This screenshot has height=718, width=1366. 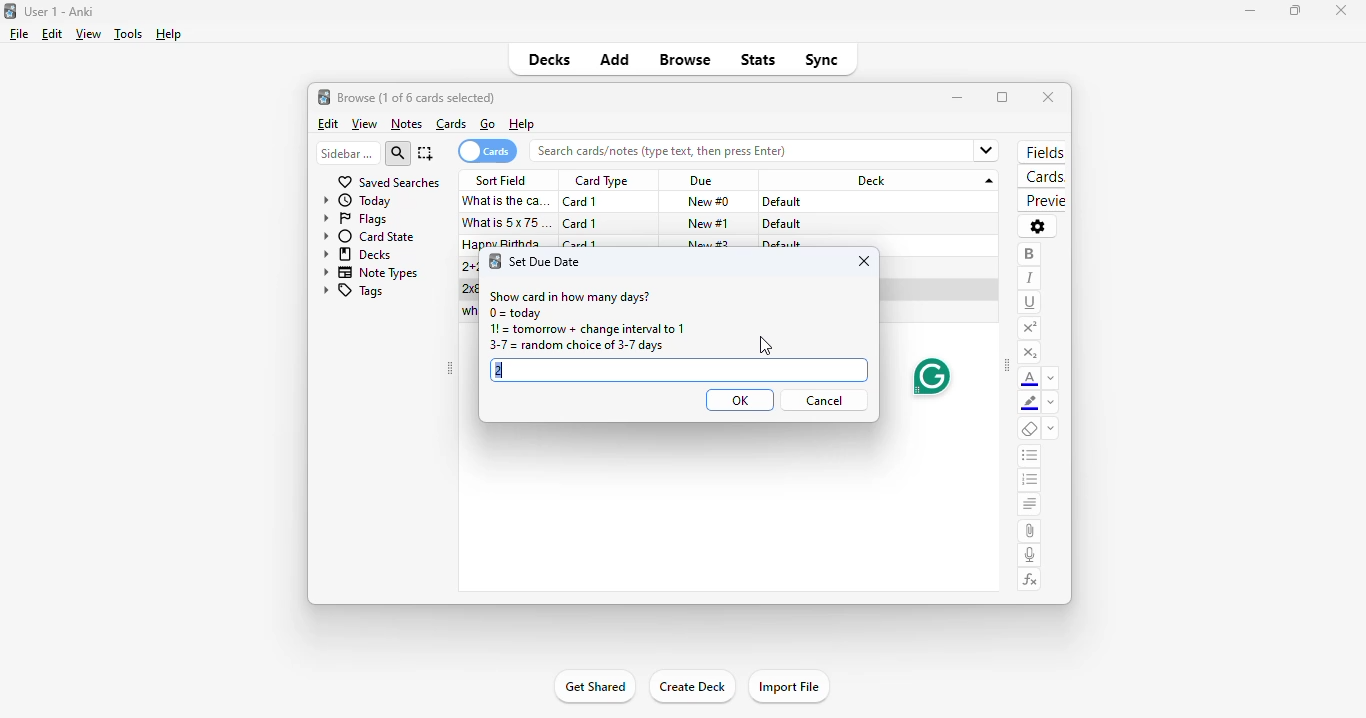 I want to click on what is the capital of France?, so click(x=506, y=201).